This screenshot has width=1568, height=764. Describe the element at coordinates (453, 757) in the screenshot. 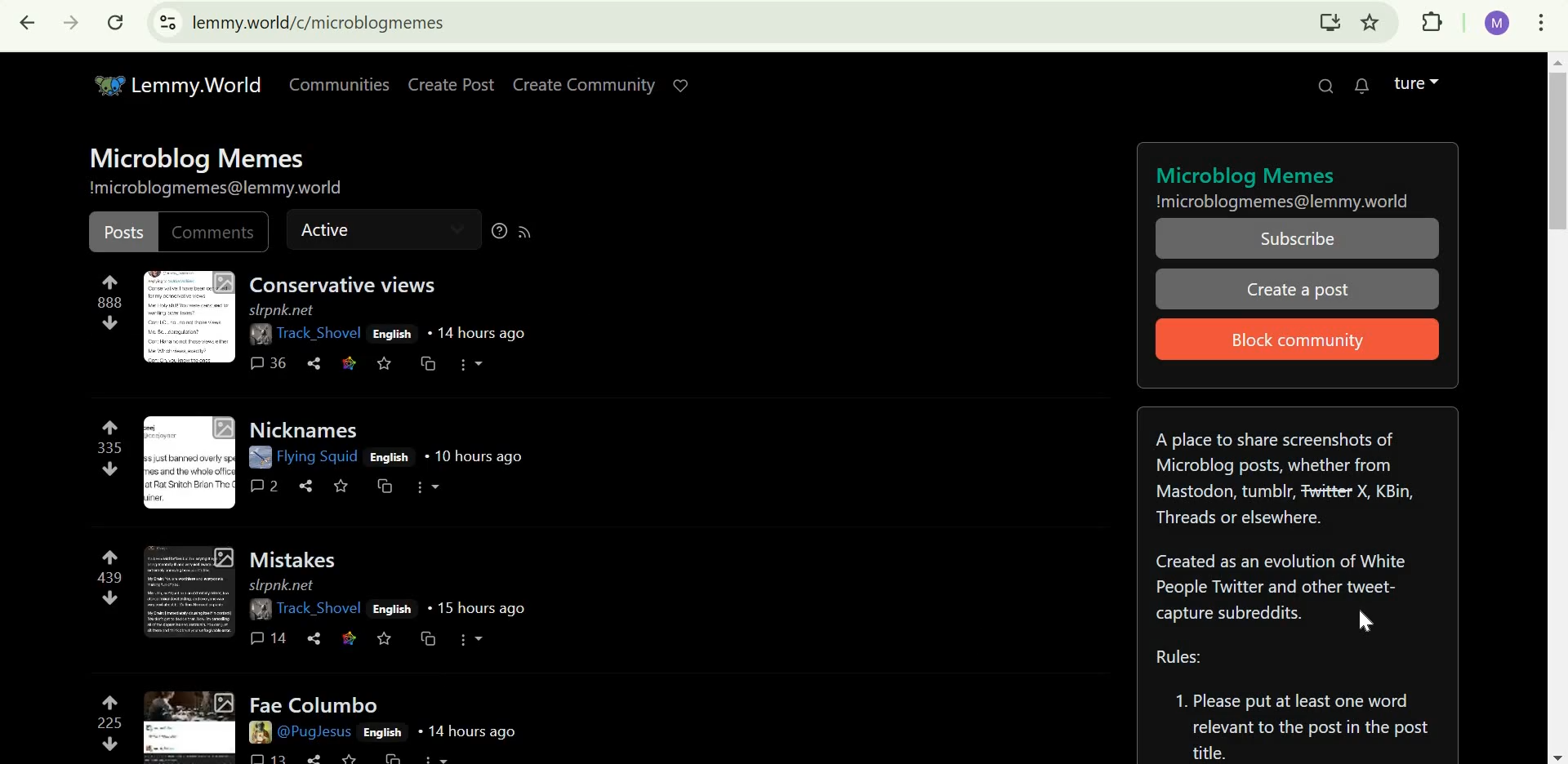

I see `options` at that location.